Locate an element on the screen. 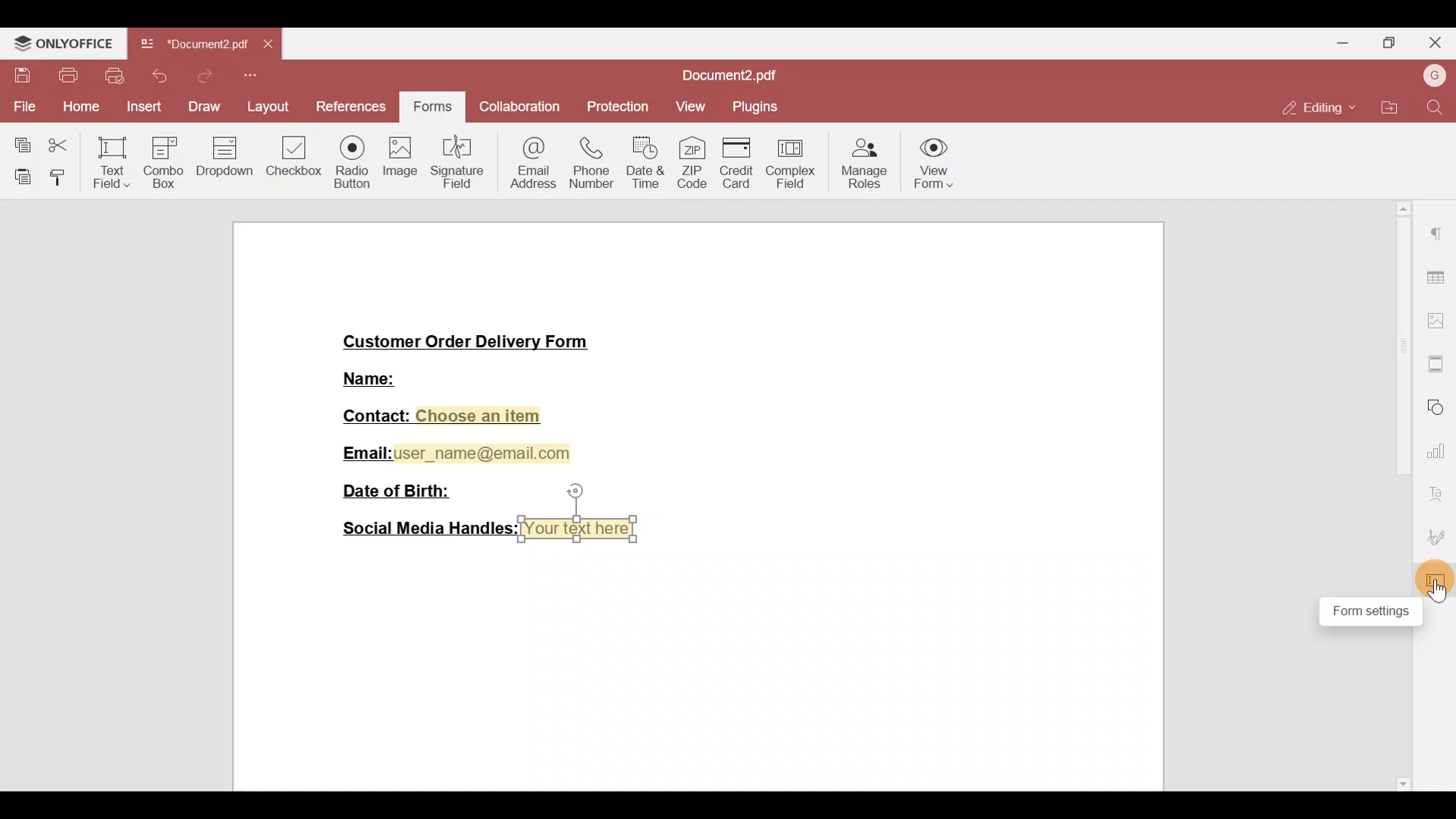 This screenshot has width=1456, height=819. Credit card is located at coordinates (734, 162).